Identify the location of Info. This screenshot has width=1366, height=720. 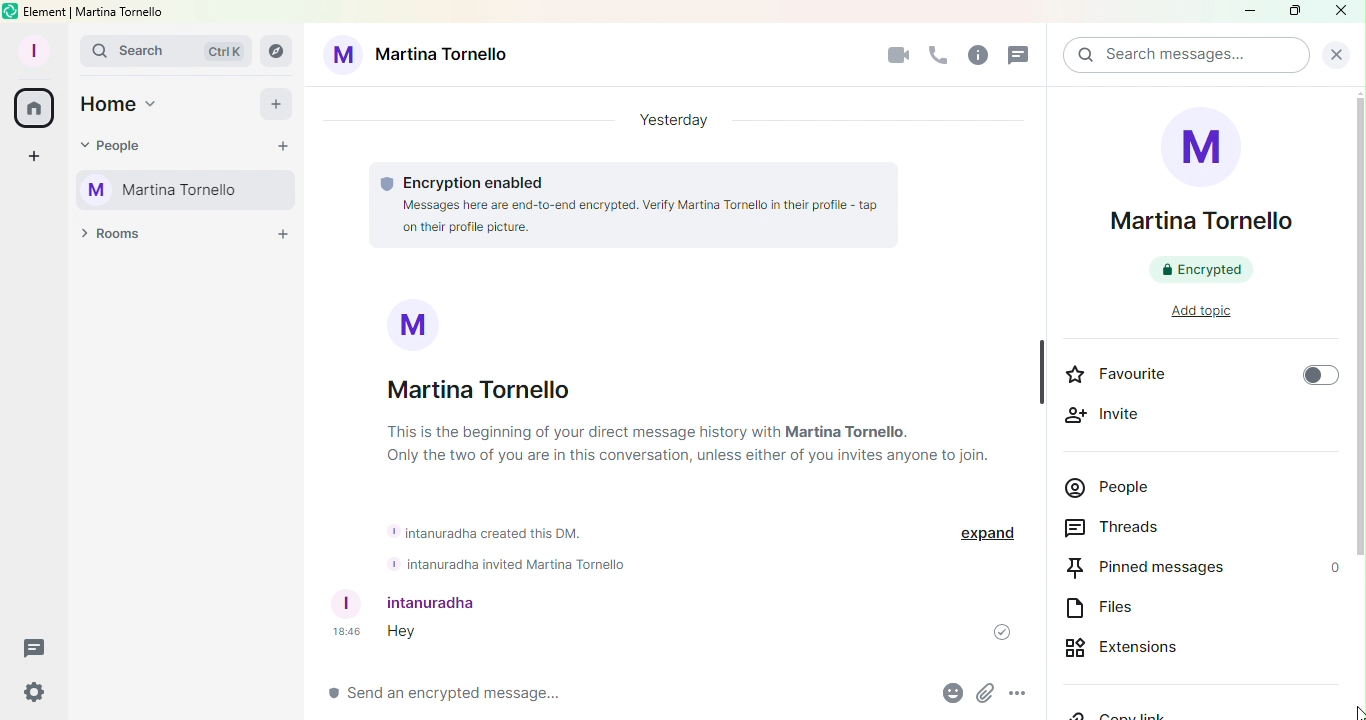
(978, 56).